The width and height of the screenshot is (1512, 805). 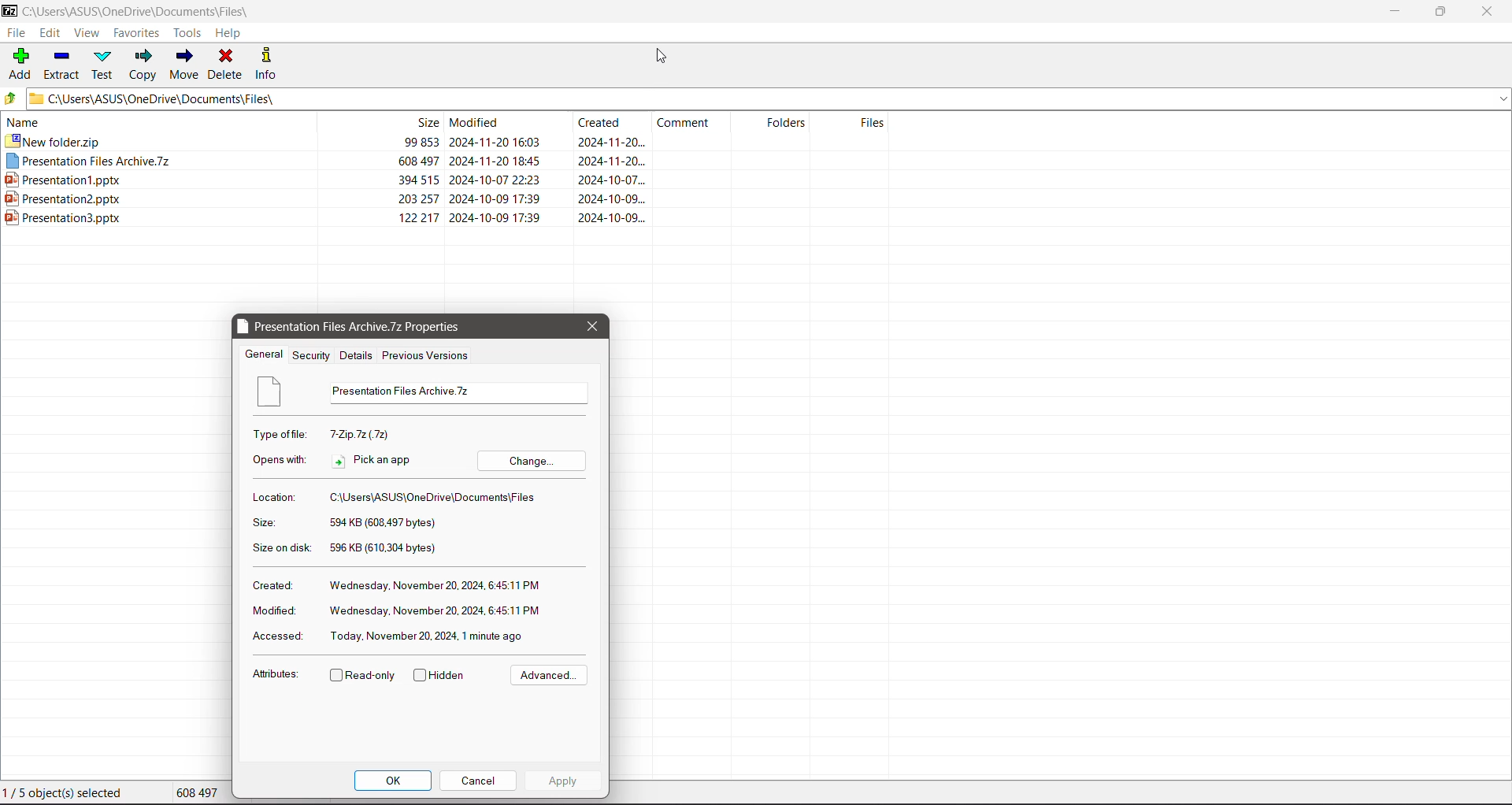 What do you see at coordinates (52, 32) in the screenshot?
I see `Edit` at bounding box center [52, 32].